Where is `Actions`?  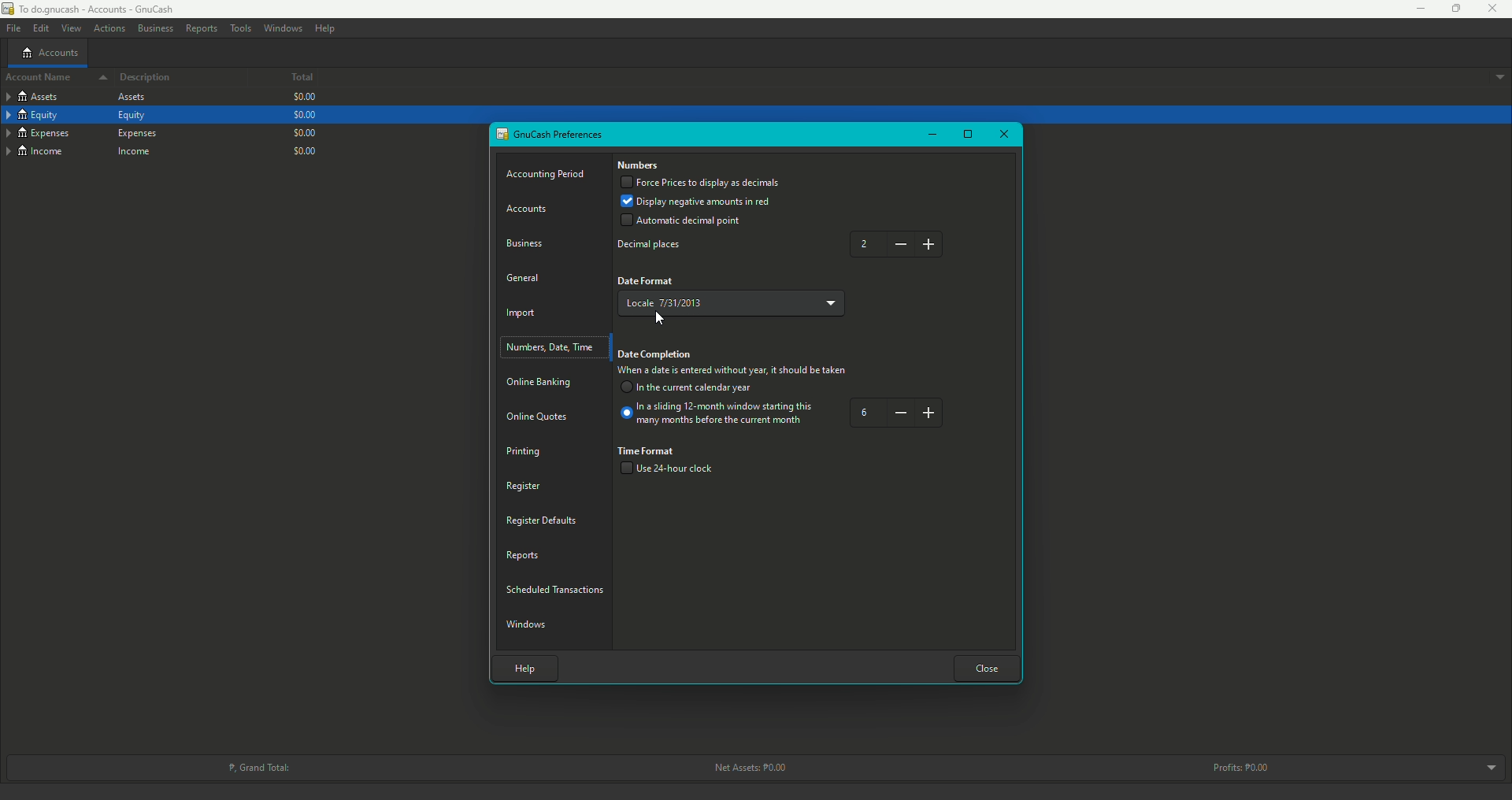
Actions is located at coordinates (109, 29).